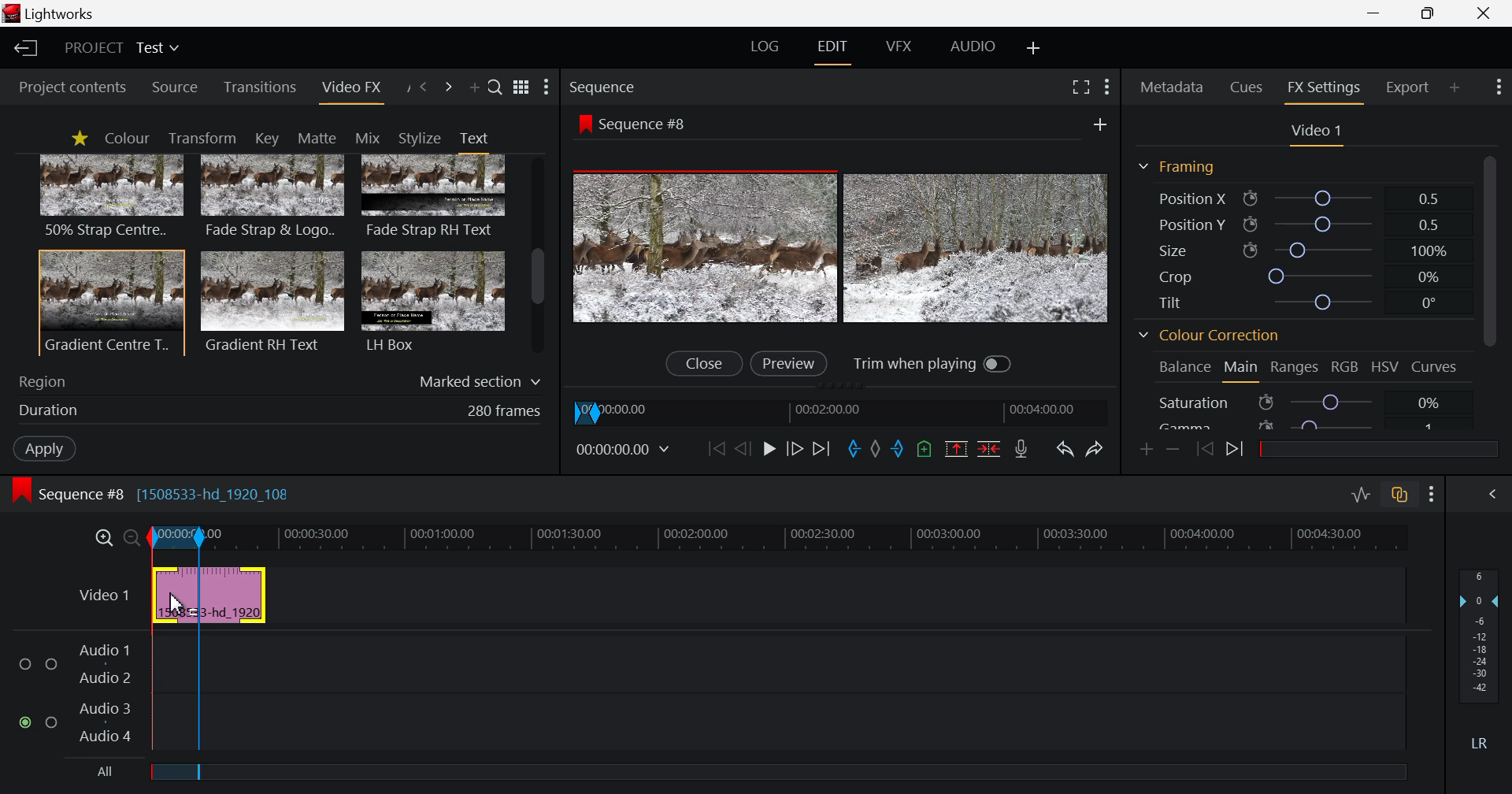 The height and width of the screenshot is (794, 1512). What do you see at coordinates (1143, 448) in the screenshot?
I see `Add keyframe` at bounding box center [1143, 448].